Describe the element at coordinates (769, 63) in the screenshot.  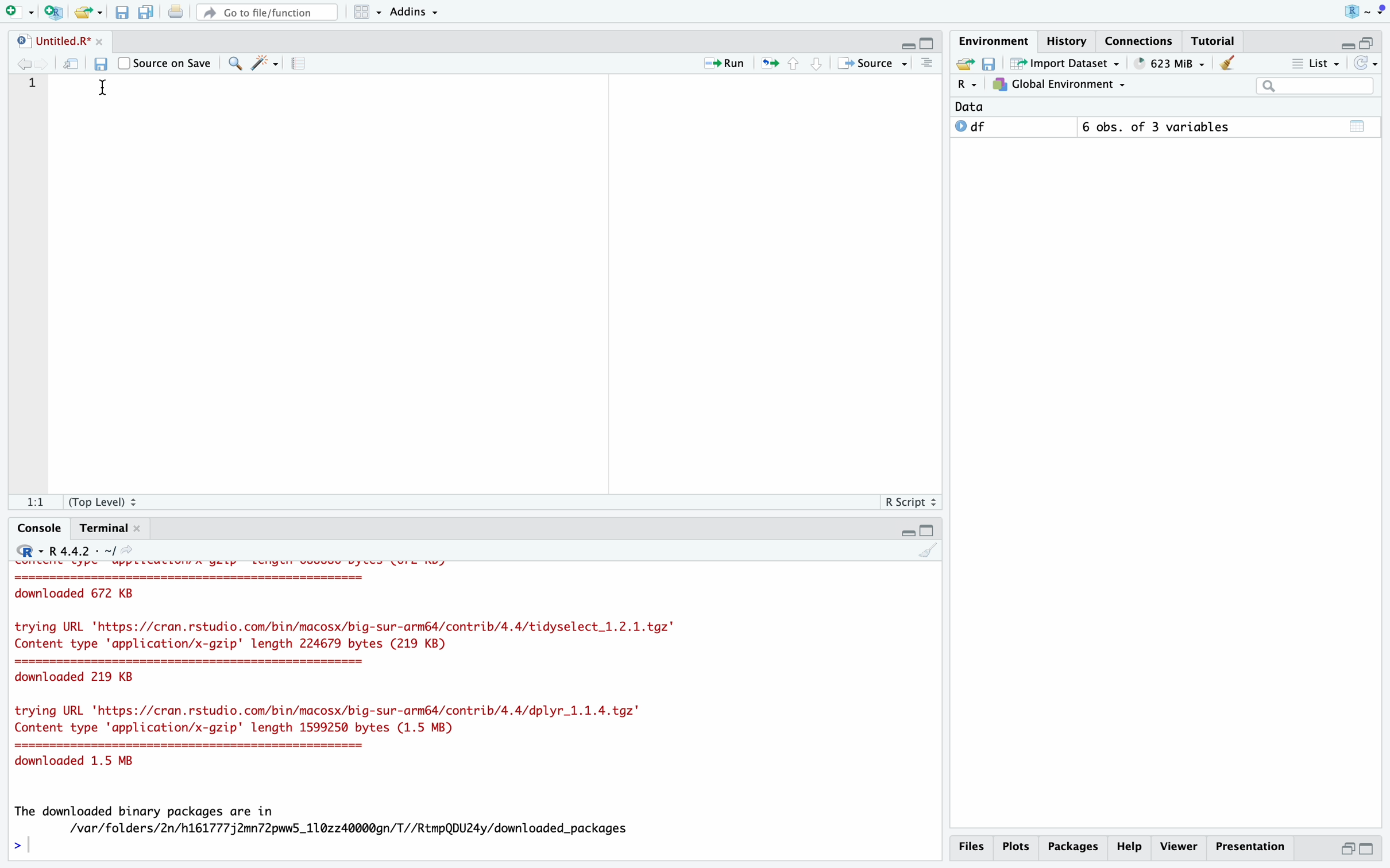
I see `Re-run the previous location code` at that location.